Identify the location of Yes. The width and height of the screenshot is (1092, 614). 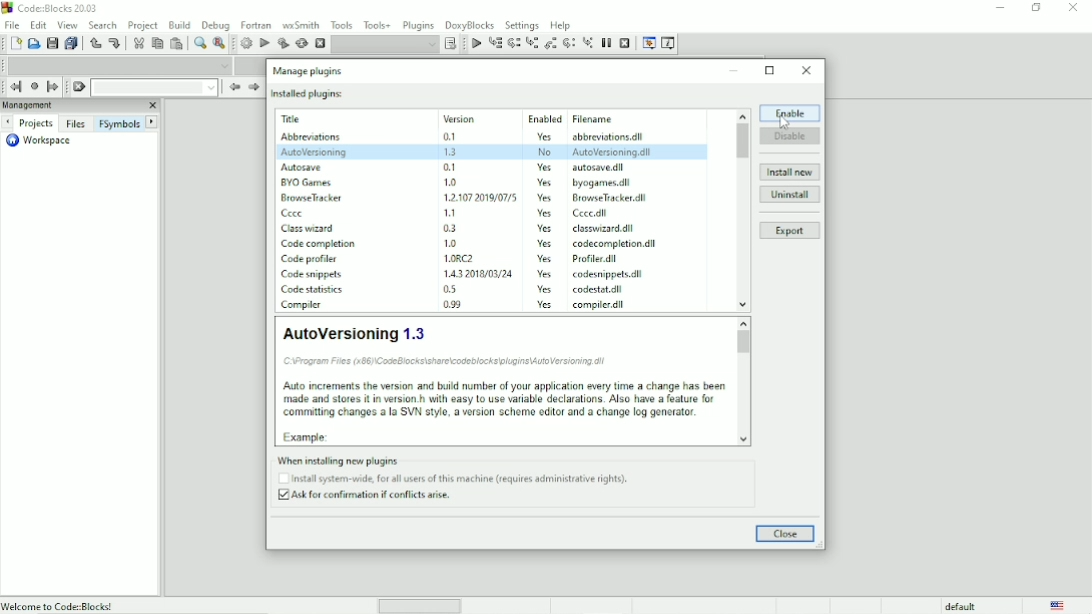
(547, 243).